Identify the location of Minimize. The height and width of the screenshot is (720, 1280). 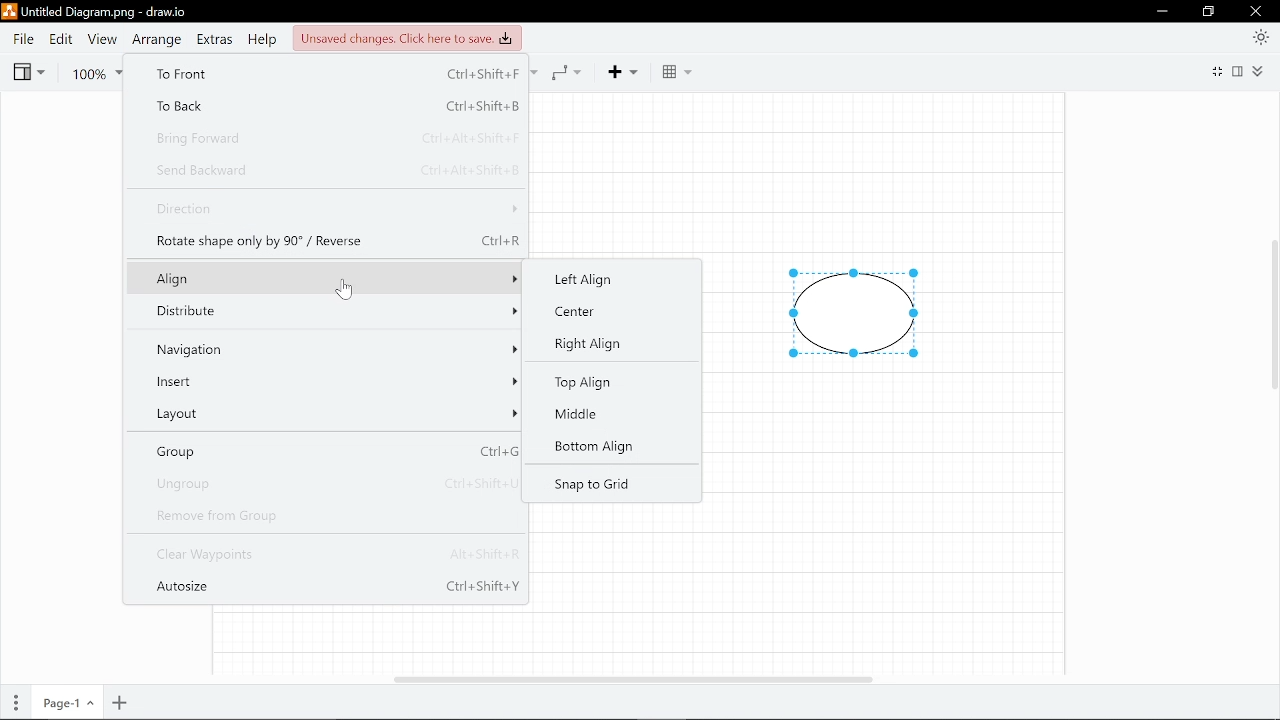
(1161, 11).